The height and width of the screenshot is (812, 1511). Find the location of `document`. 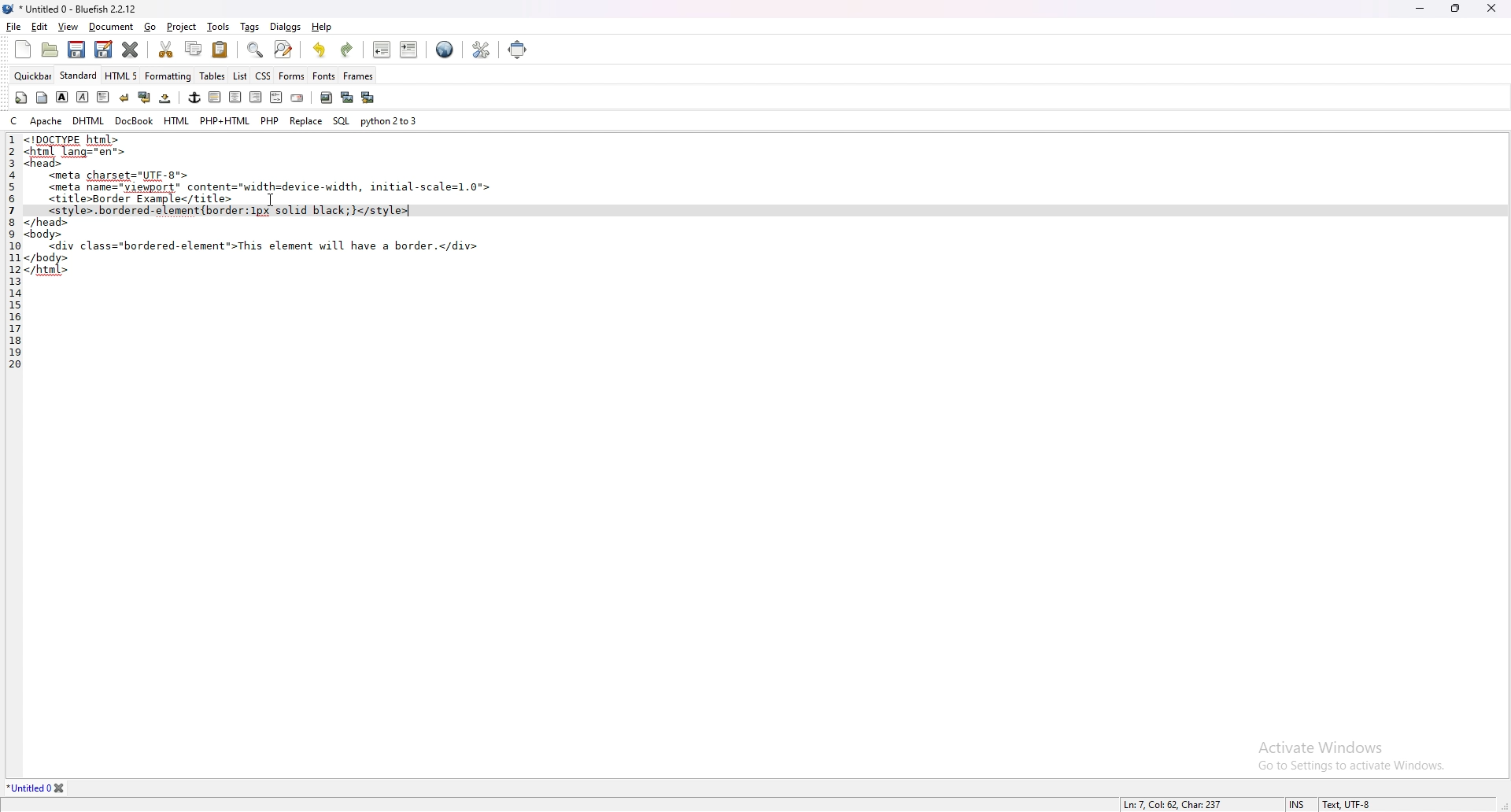

document is located at coordinates (111, 28).